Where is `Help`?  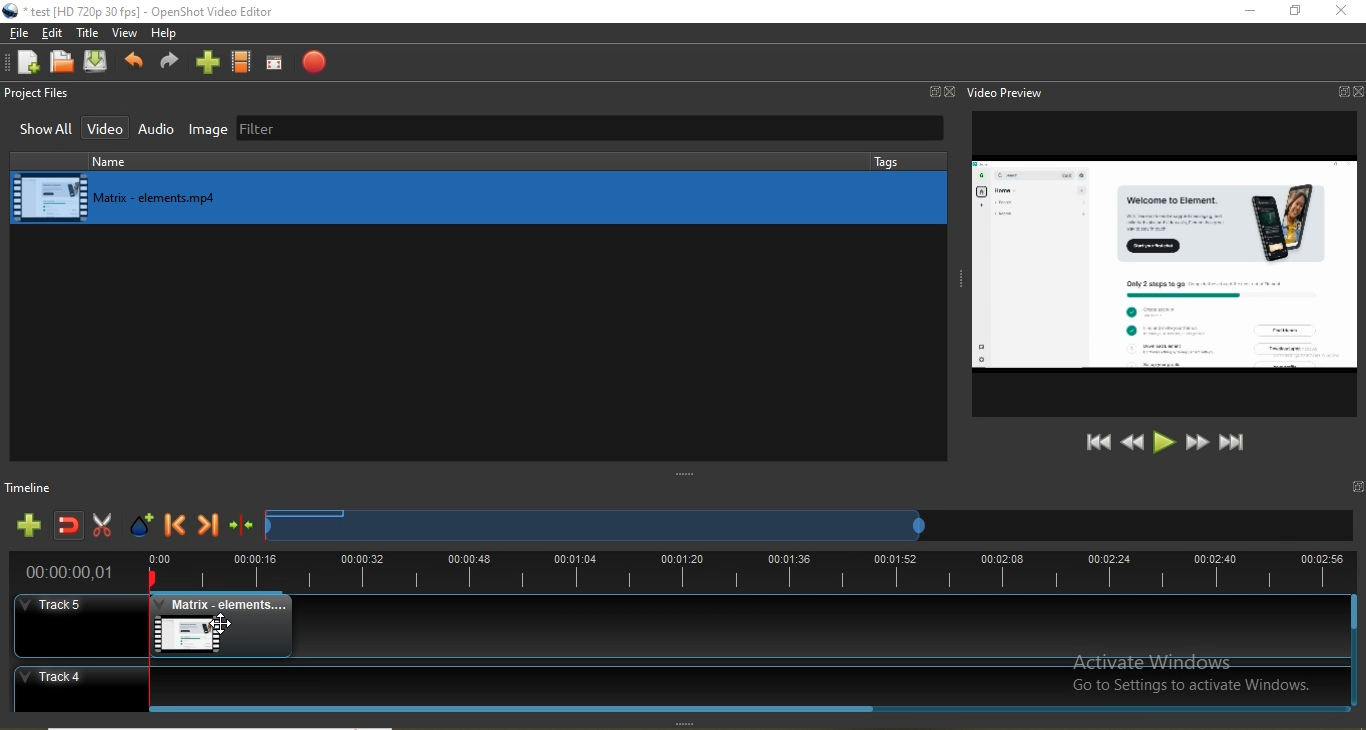 Help is located at coordinates (167, 35).